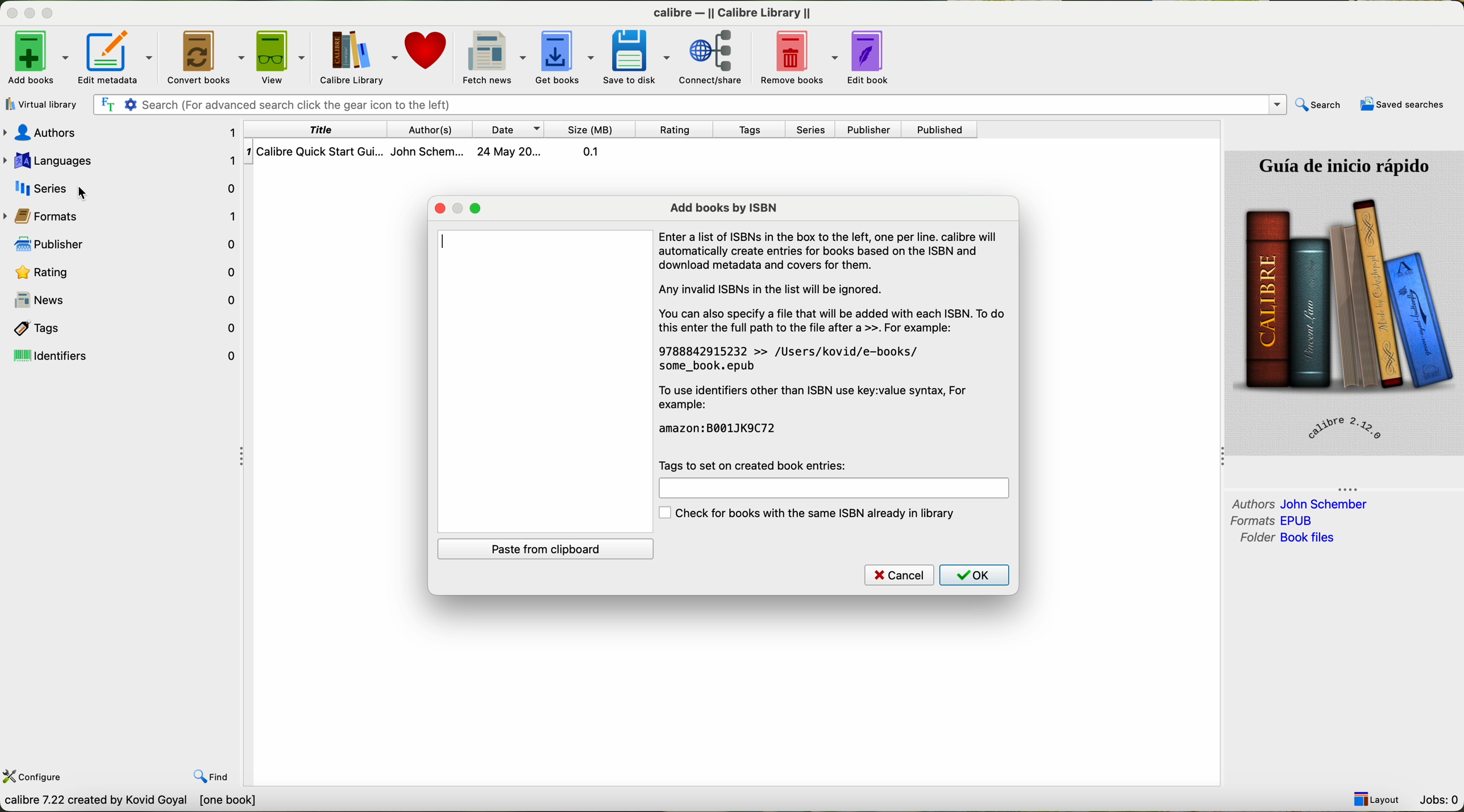 This screenshot has height=812, width=1464. I want to click on close window, so click(441, 208).